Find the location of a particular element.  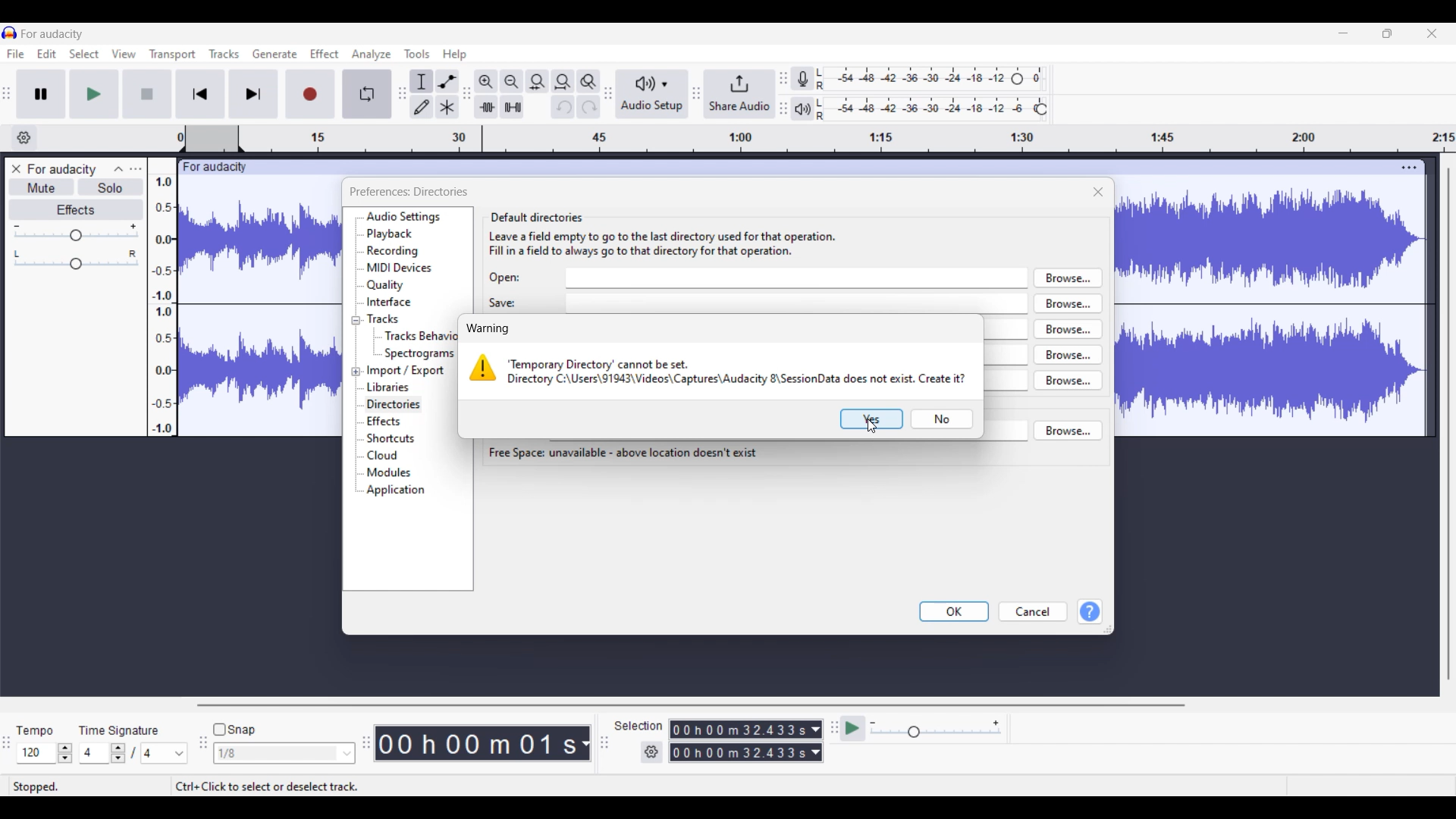

OK is located at coordinates (955, 612).